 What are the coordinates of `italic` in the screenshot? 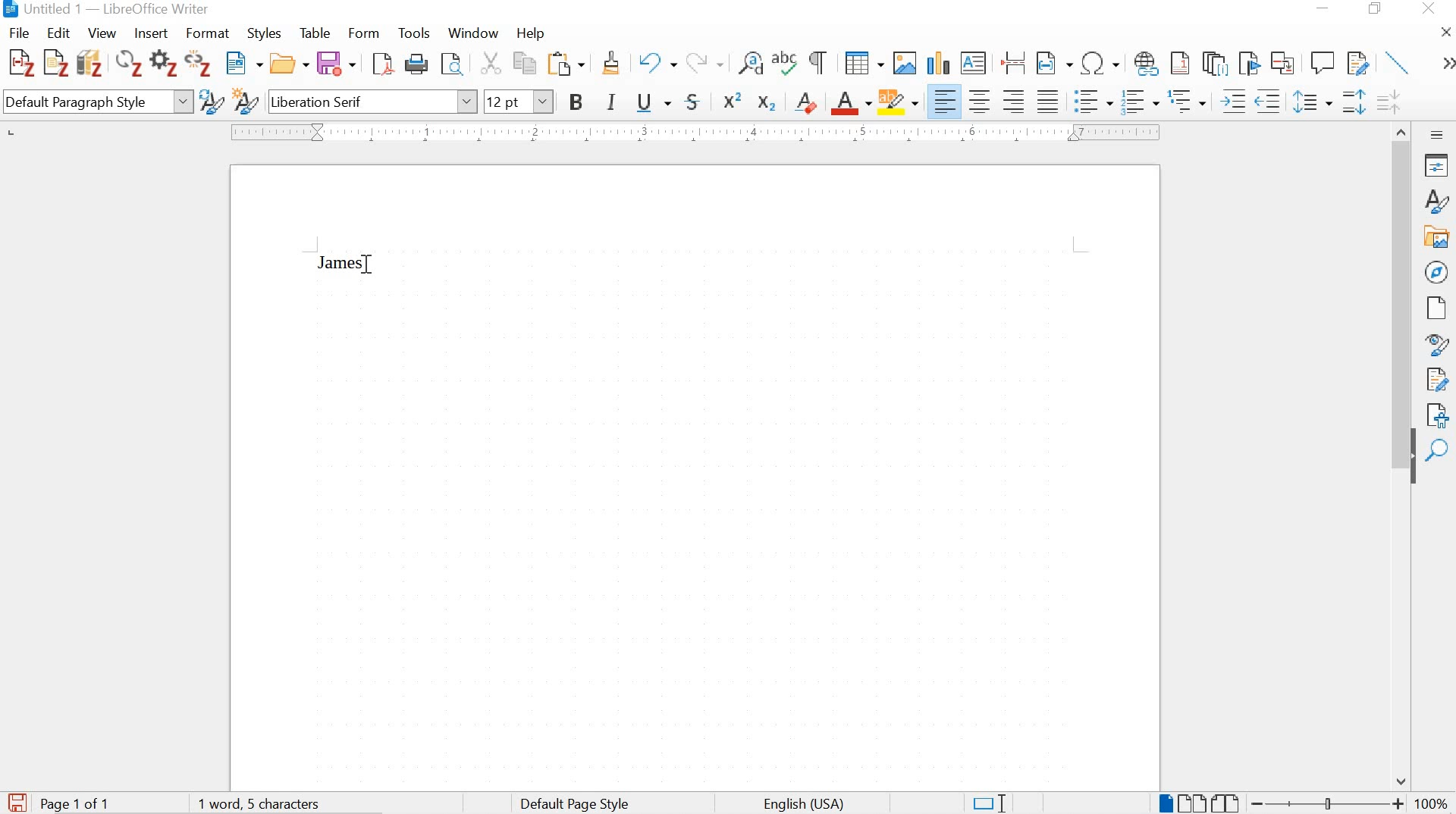 It's located at (613, 104).